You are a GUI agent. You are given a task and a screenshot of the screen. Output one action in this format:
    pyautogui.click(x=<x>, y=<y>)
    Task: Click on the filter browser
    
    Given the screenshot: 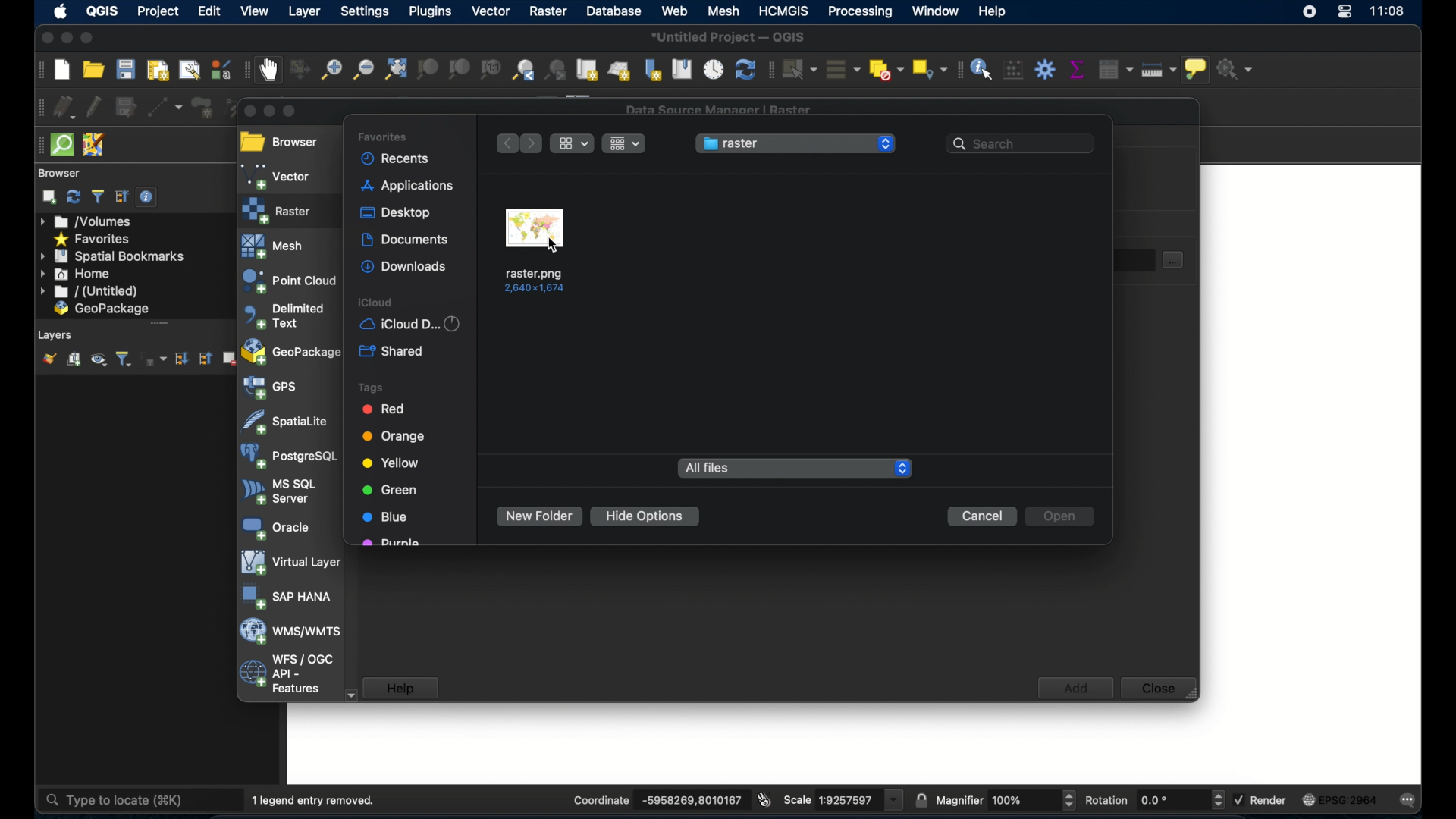 What is the action you would take?
    pyautogui.click(x=98, y=196)
    